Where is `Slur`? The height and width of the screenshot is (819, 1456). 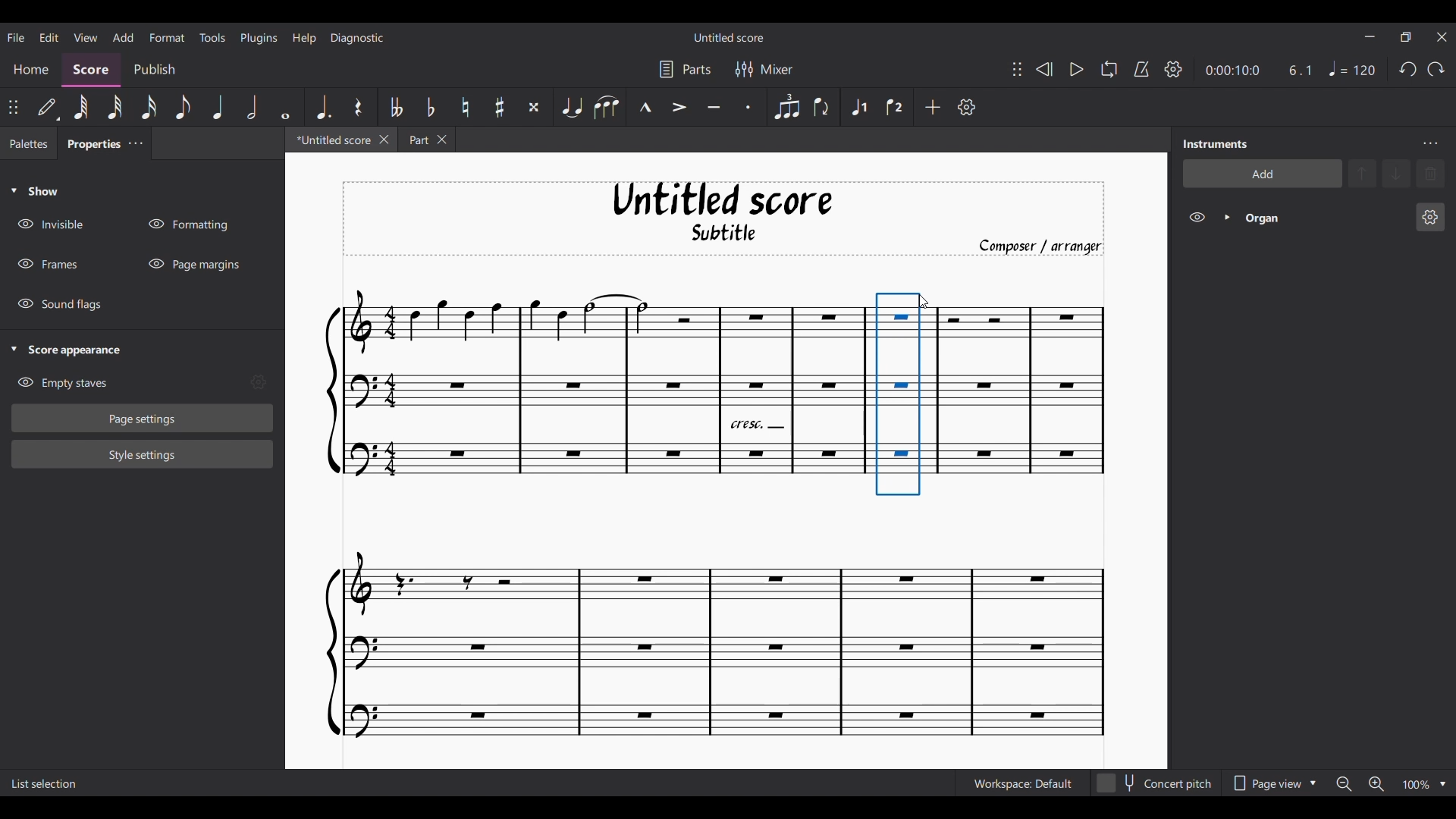 Slur is located at coordinates (606, 107).